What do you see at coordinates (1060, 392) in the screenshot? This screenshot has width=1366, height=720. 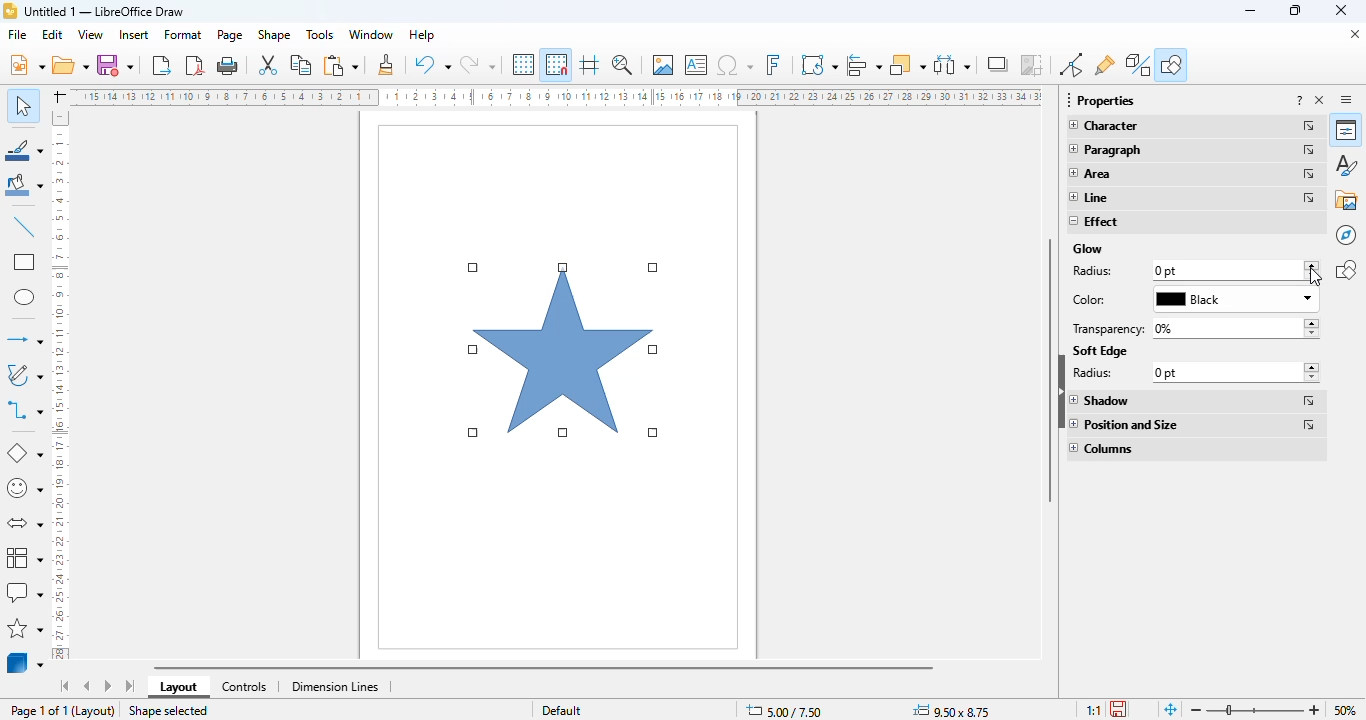 I see `hide` at bounding box center [1060, 392].